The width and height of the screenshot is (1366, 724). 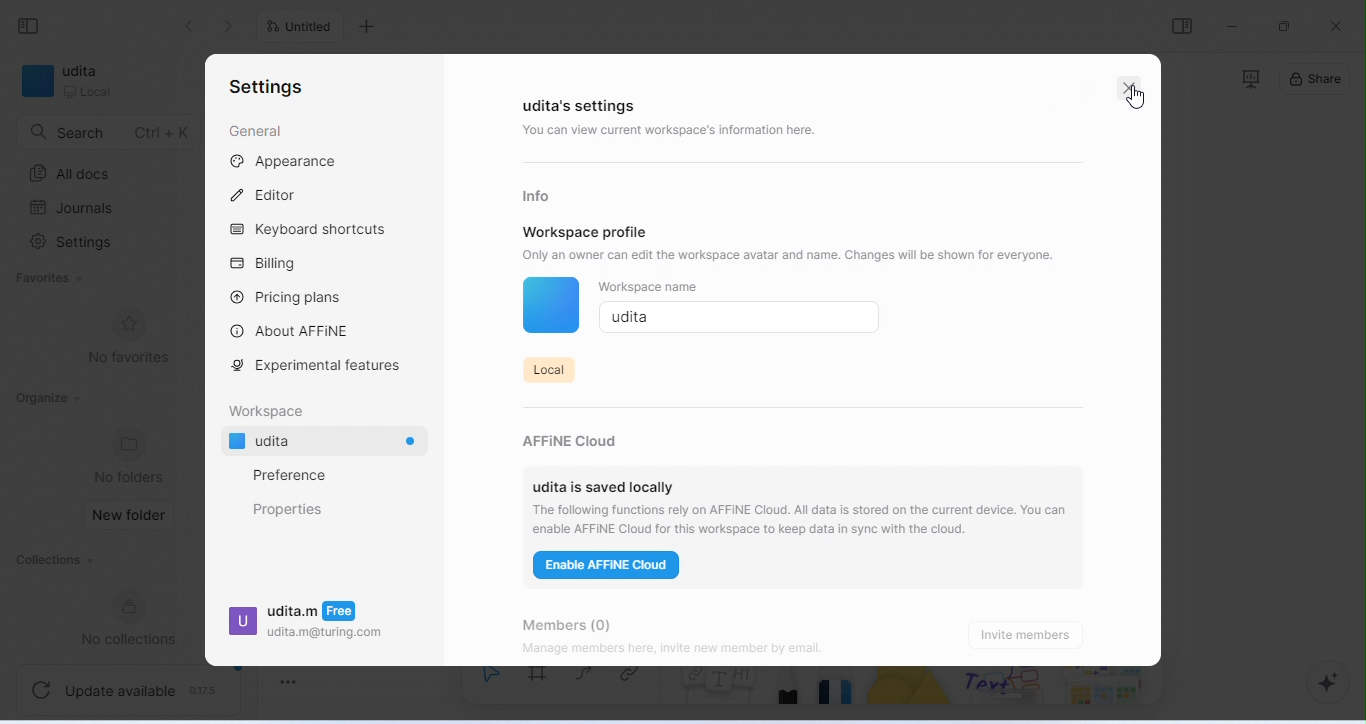 What do you see at coordinates (292, 298) in the screenshot?
I see `Pricing plans` at bounding box center [292, 298].